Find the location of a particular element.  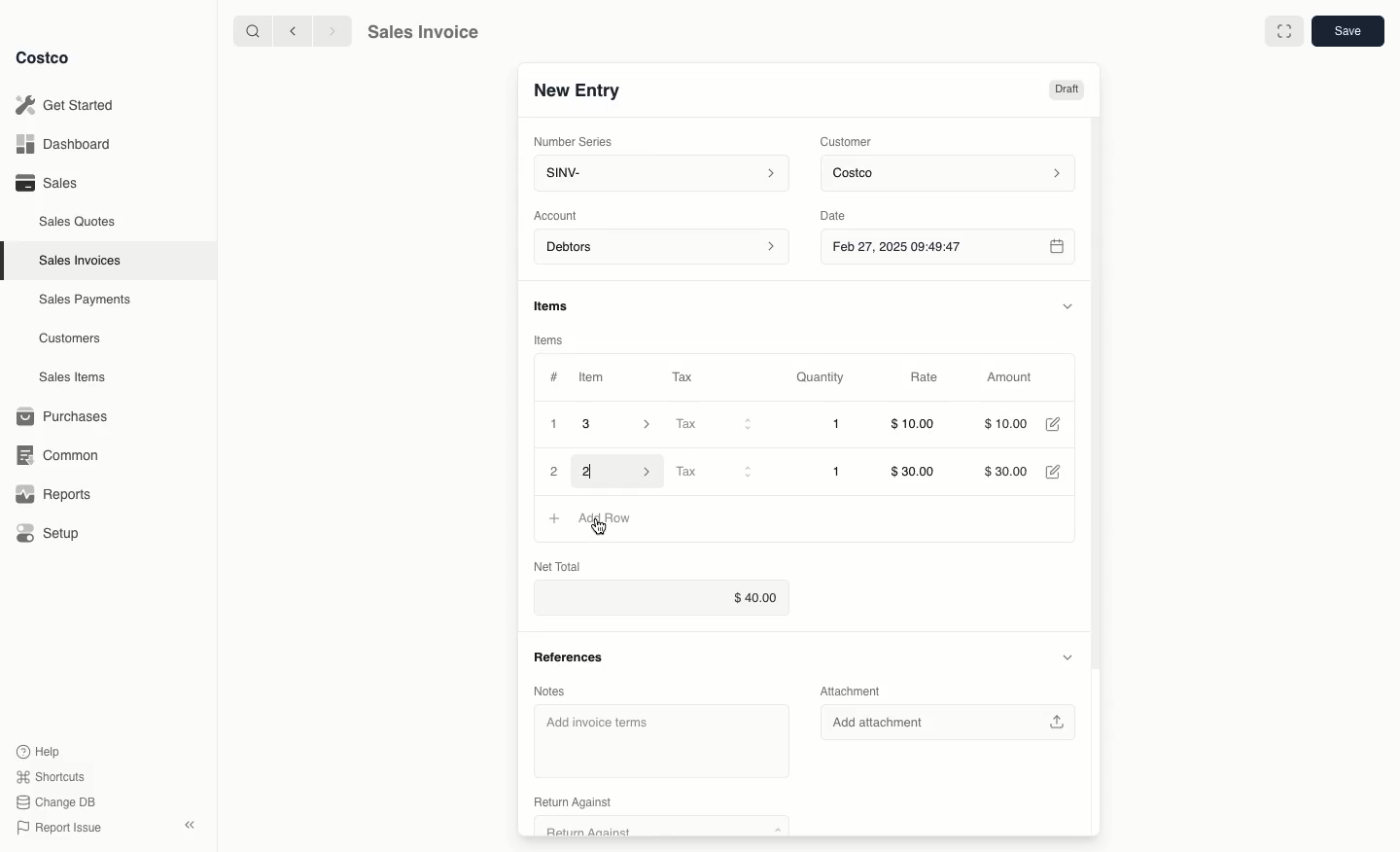

Add attachment is located at coordinates (953, 722).